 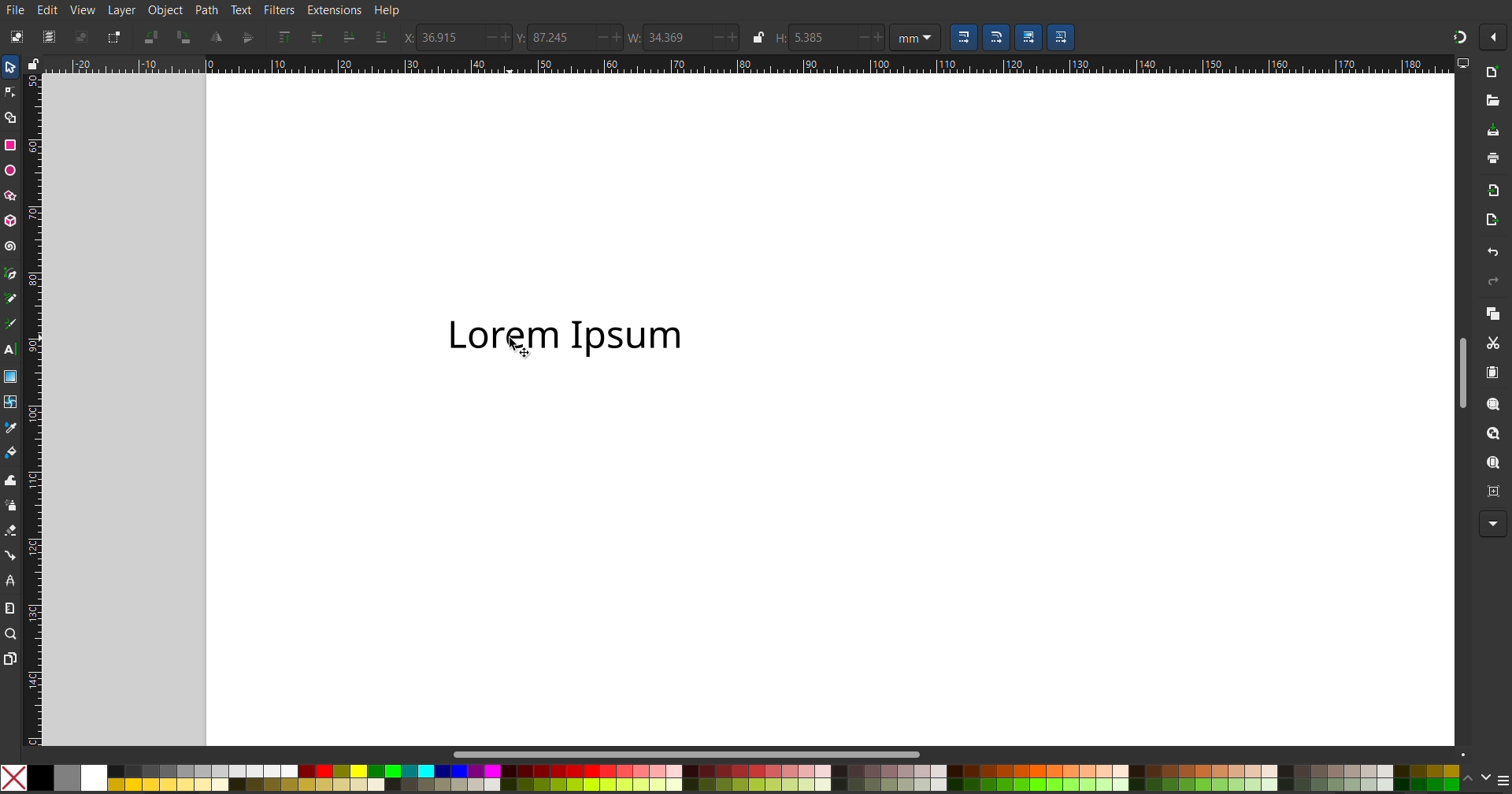 What do you see at coordinates (826, 39) in the screenshot?
I see `Height ` at bounding box center [826, 39].